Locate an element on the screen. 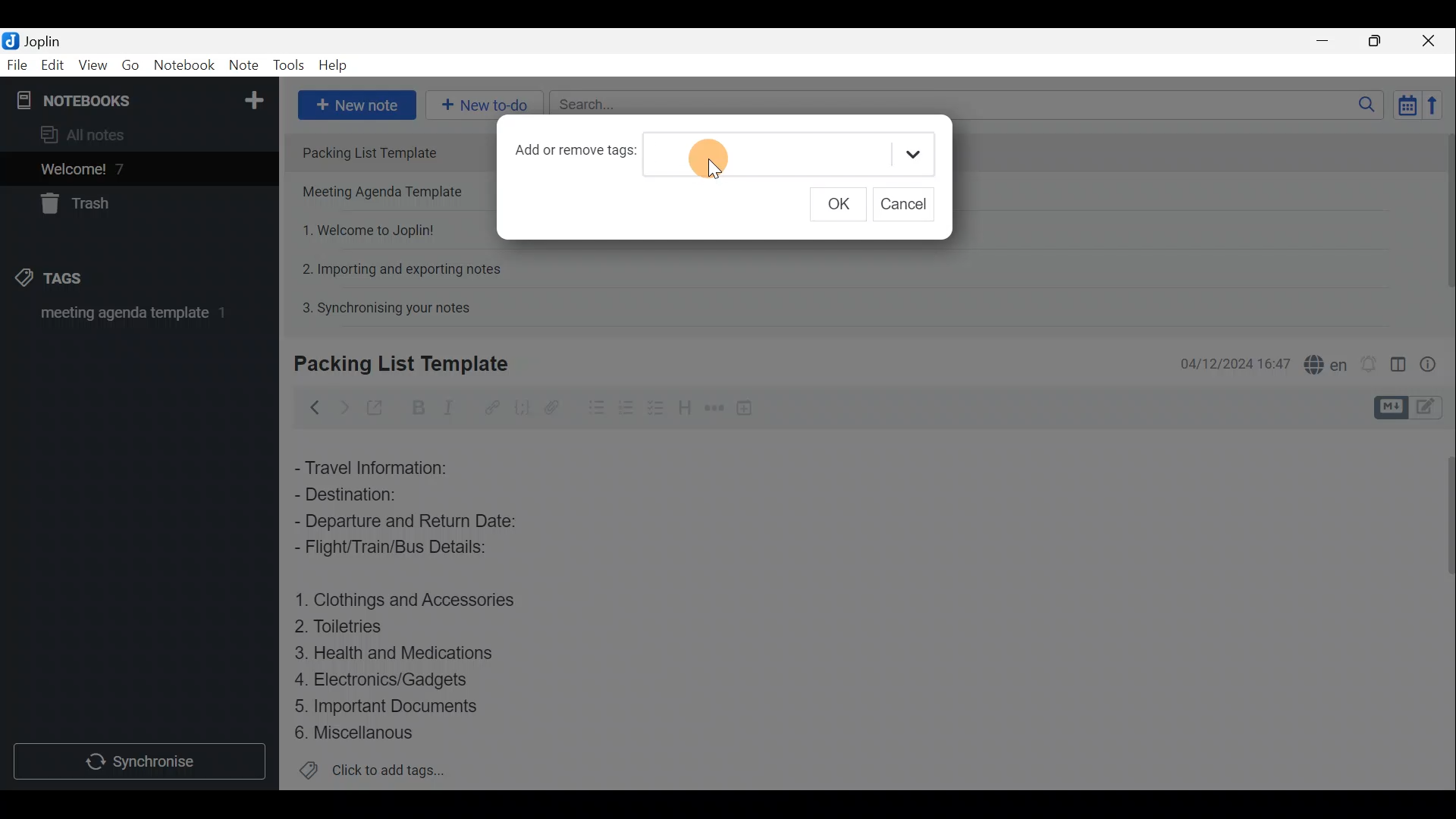 The height and width of the screenshot is (819, 1456). Packing List Template is located at coordinates (391, 152).